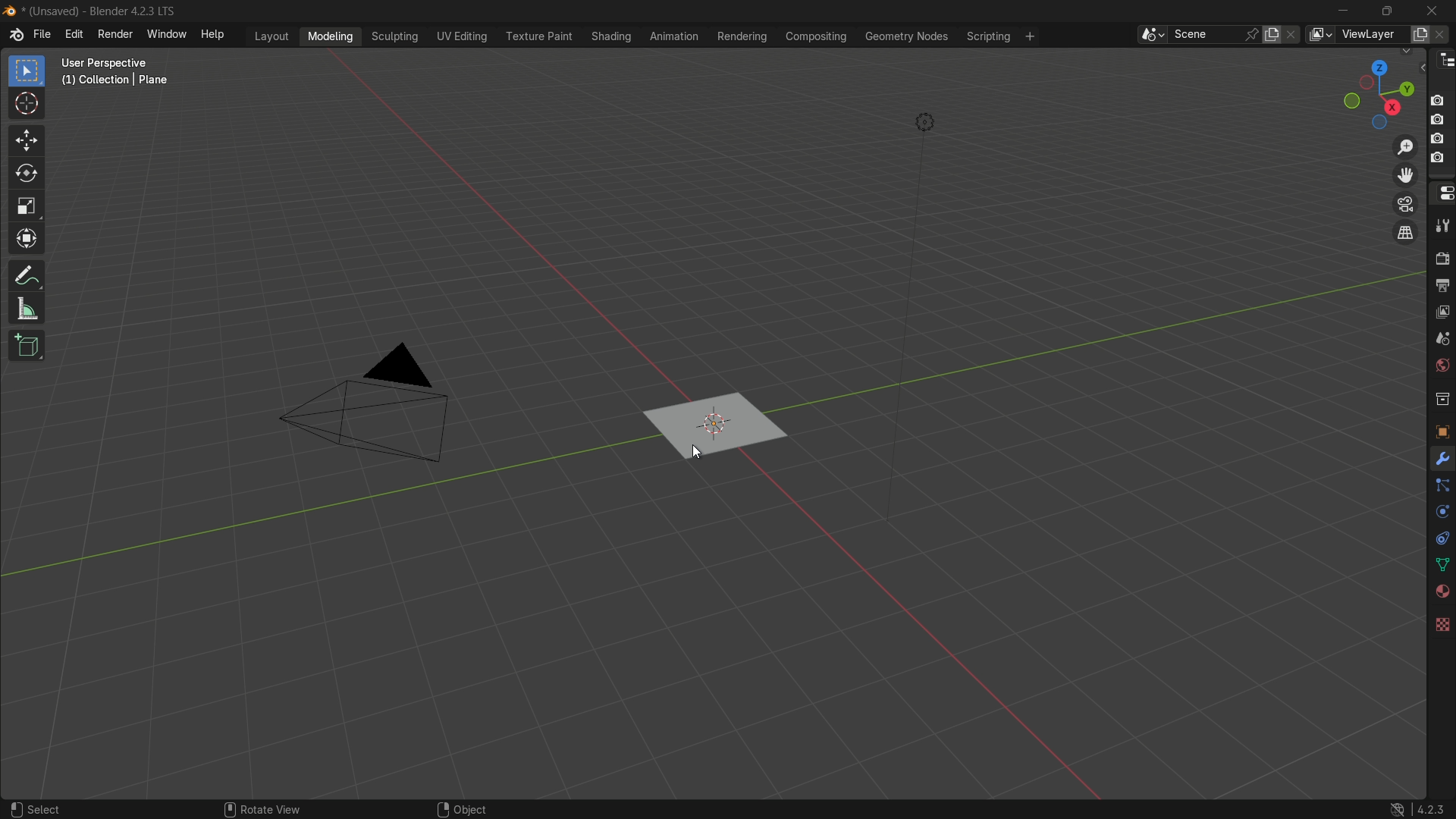  Describe the element at coordinates (1321, 34) in the screenshot. I see `browse views` at that location.